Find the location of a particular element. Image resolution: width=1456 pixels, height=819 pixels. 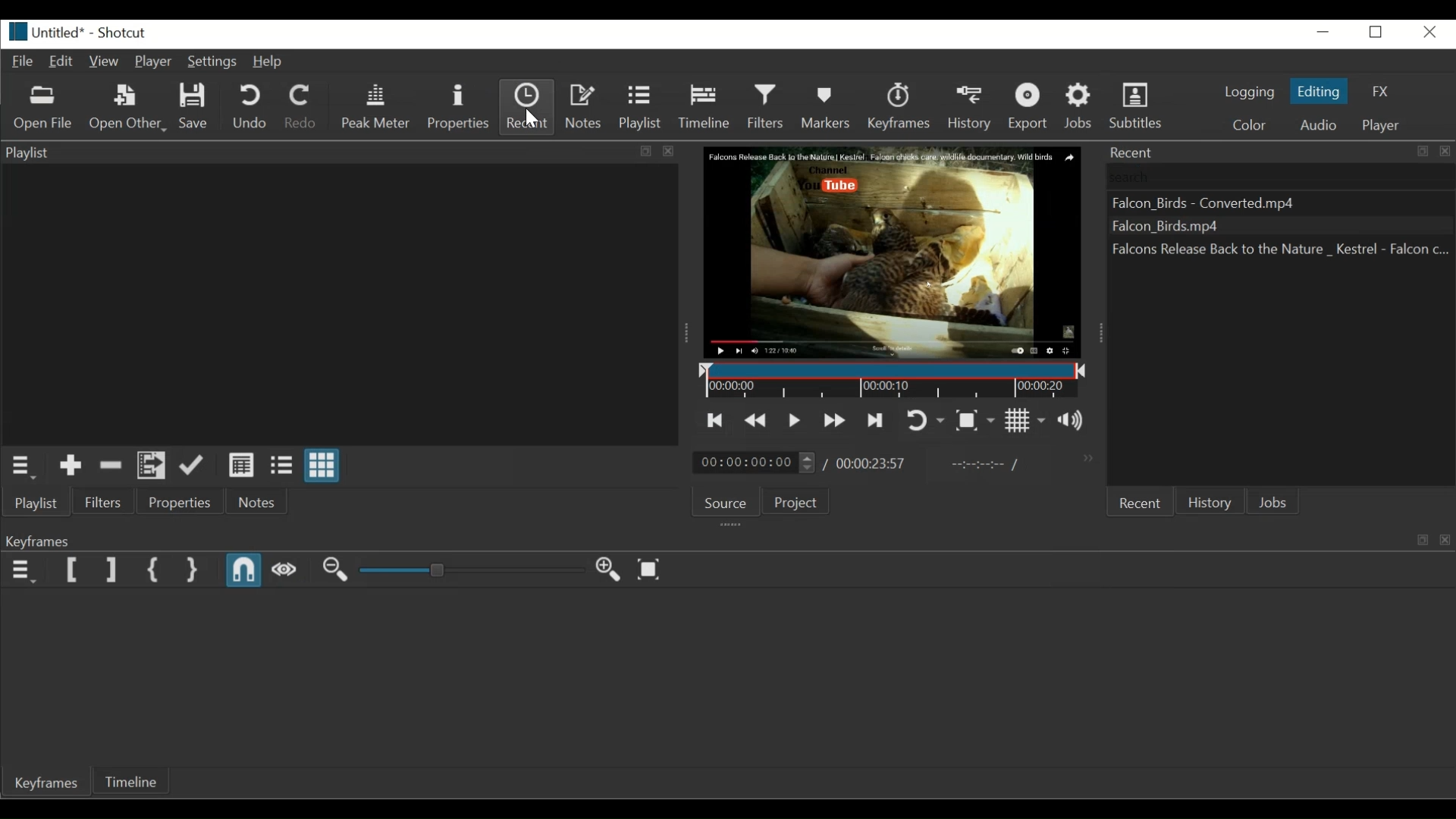

Recent is located at coordinates (1144, 501).